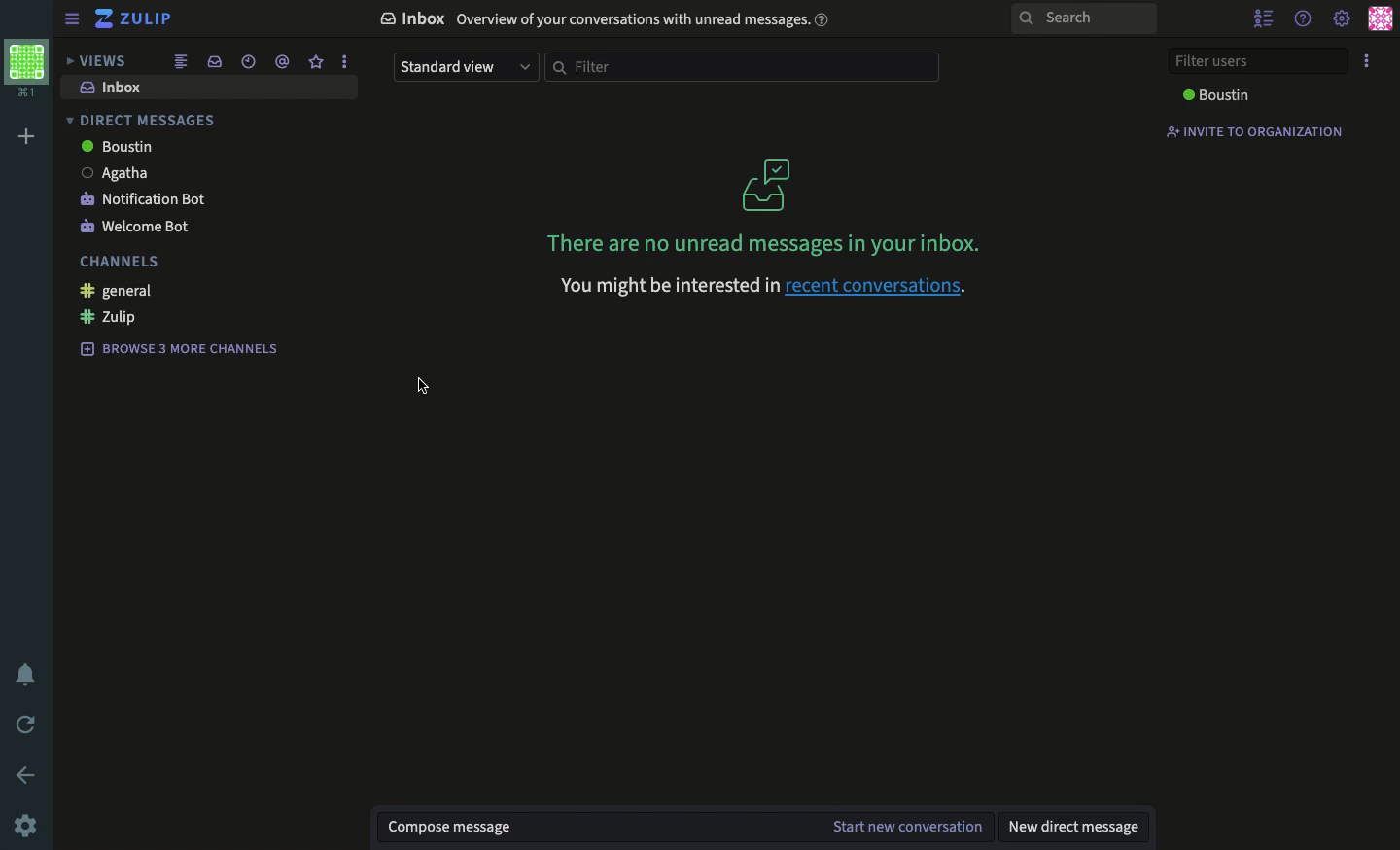 The image size is (1400, 850). I want to click on add workspace, so click(29, 138).